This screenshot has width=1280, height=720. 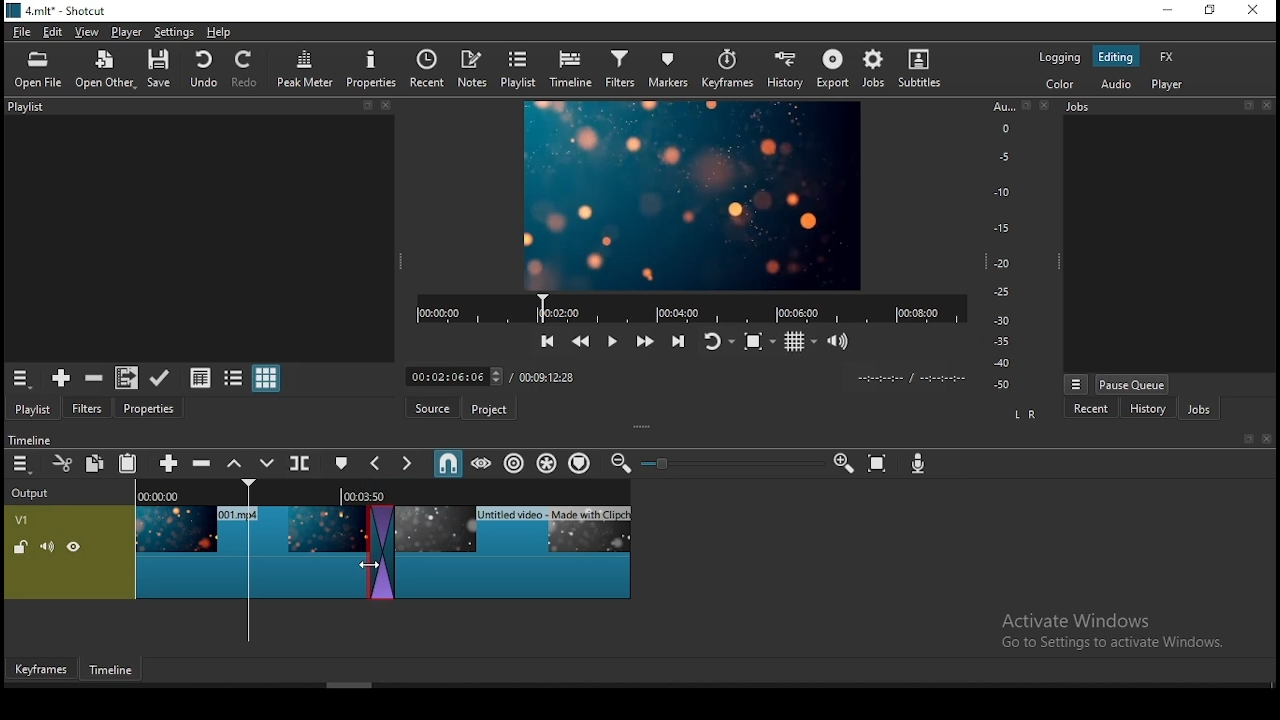 What do you see at coordinates (458, 374) in the screenshot?
I see `elapsed time` at bounding box center [458, 374].